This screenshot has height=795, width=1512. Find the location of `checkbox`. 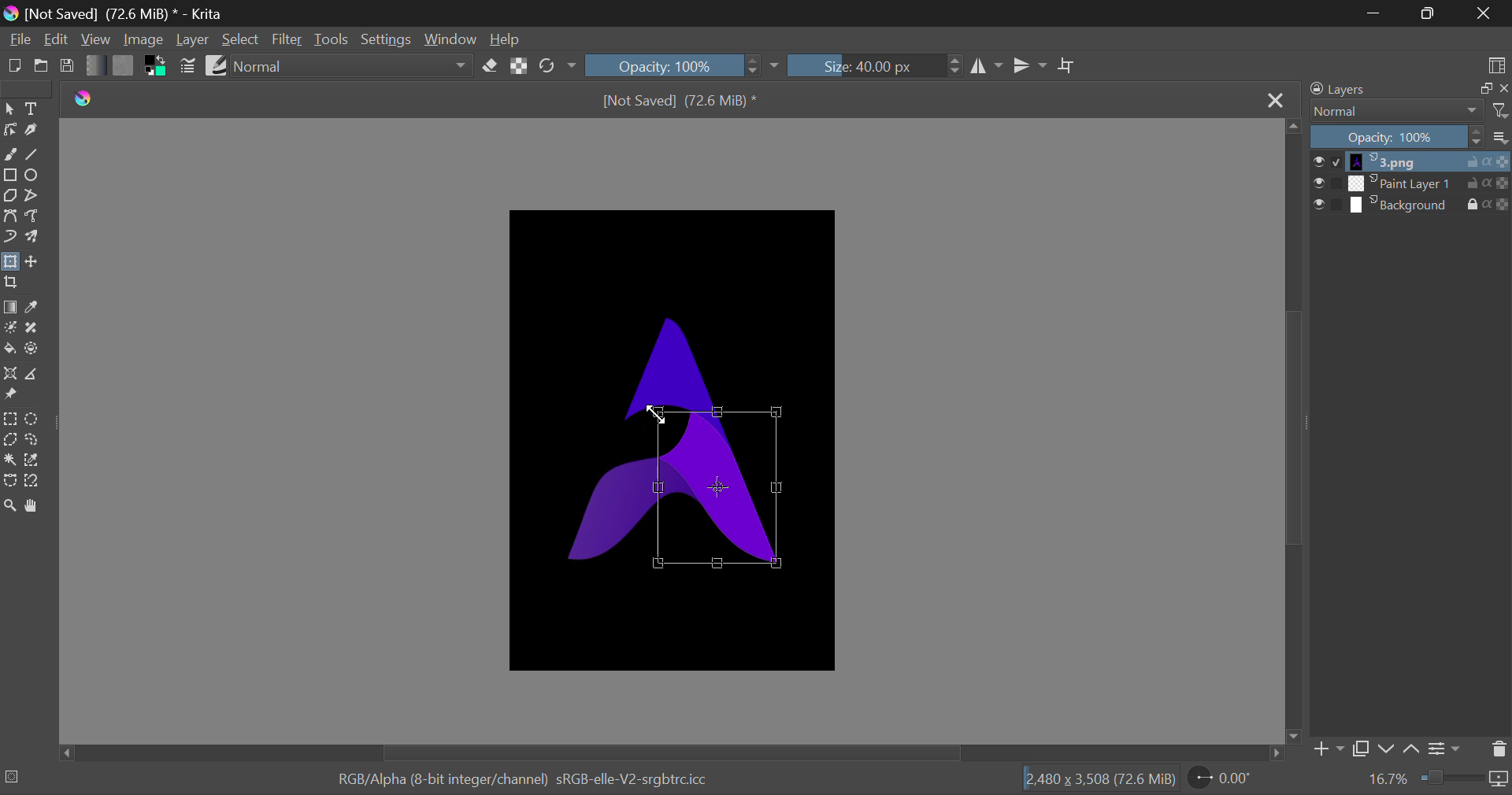

checkbox is located at coordinates (1328, 162).